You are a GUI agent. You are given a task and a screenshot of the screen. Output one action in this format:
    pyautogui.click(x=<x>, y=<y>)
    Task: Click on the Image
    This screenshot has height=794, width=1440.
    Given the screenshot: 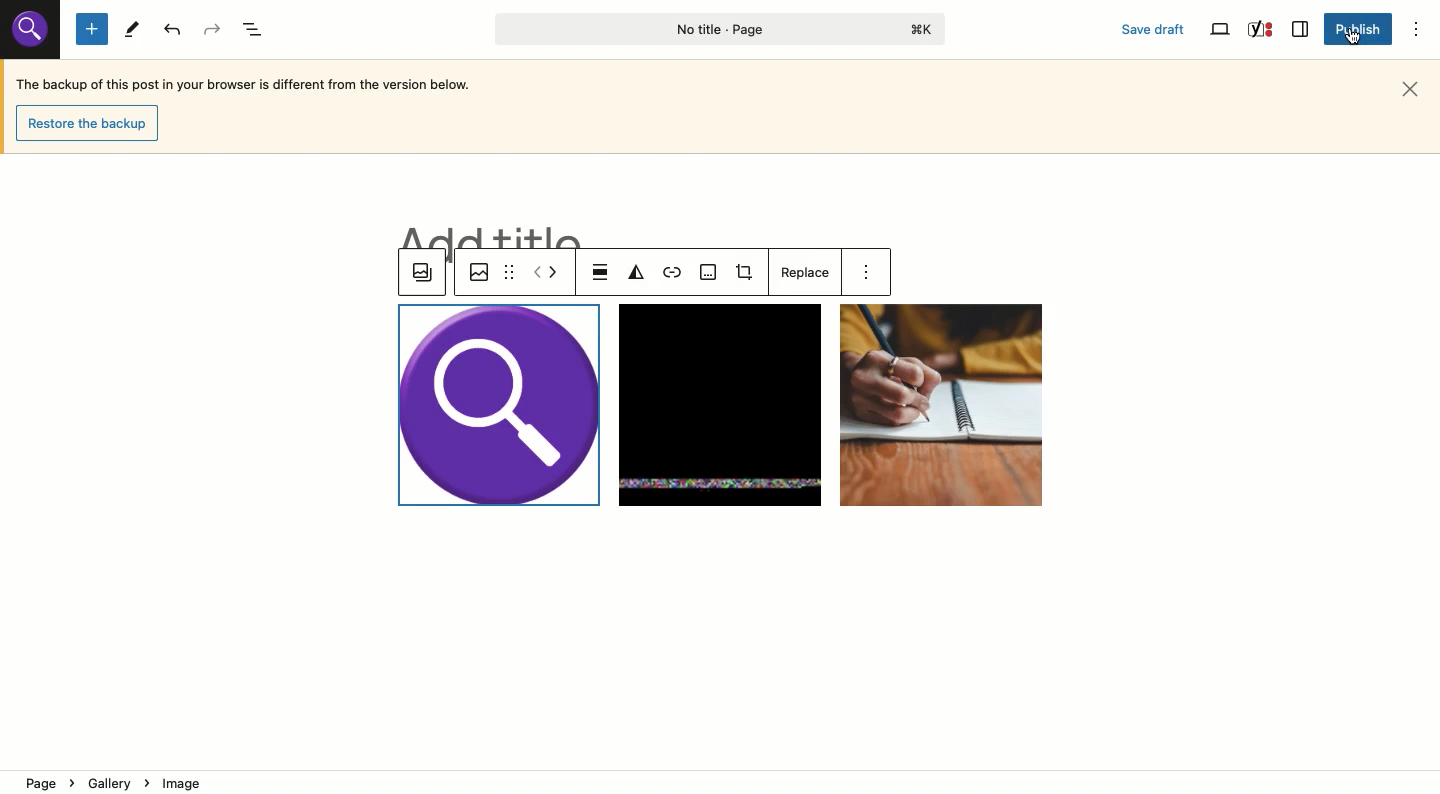 What is the action you would take?
    pyautogui.click(x=475, y=271)
    